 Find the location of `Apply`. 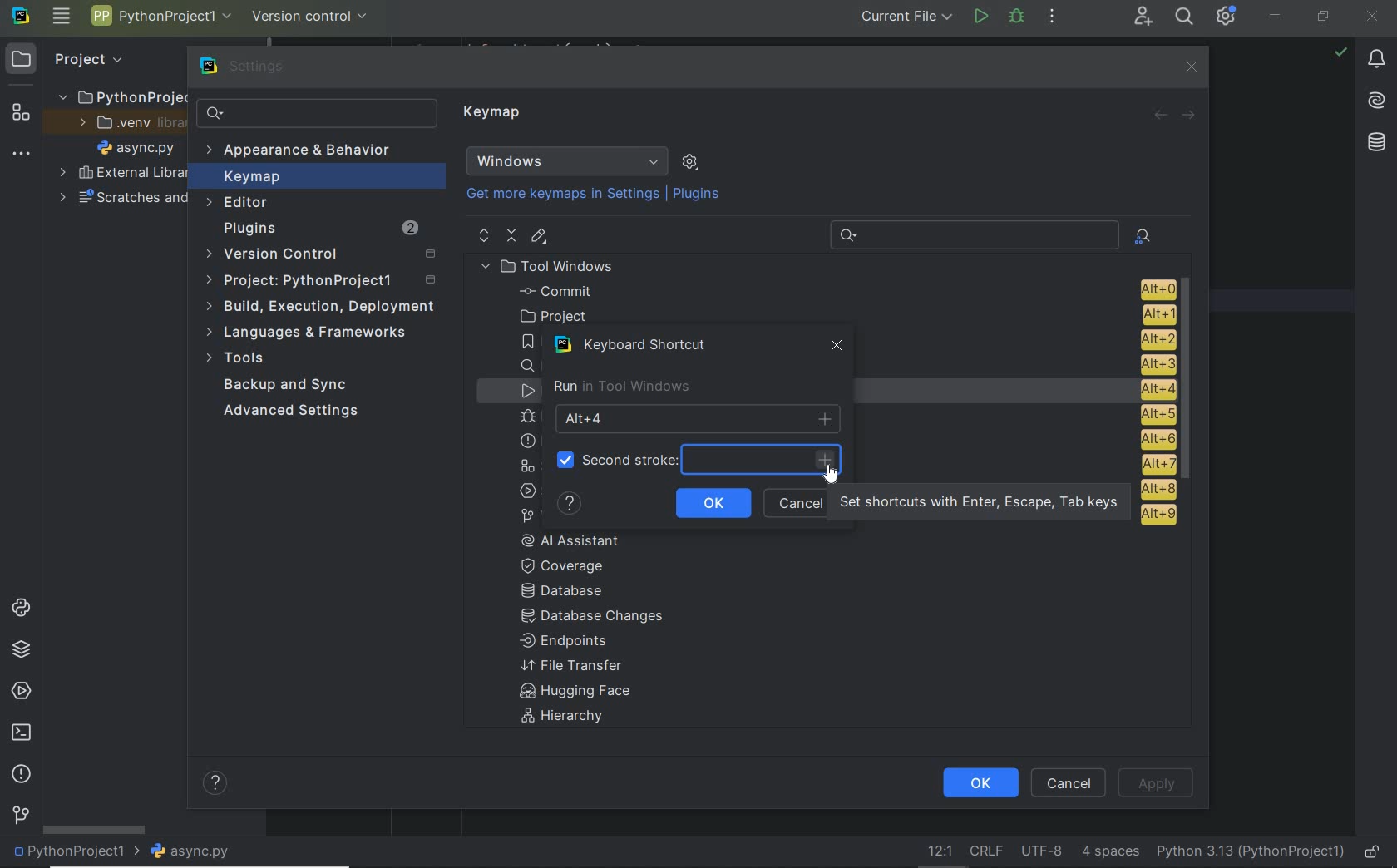

Apply is located at coordinates (1156, 782).